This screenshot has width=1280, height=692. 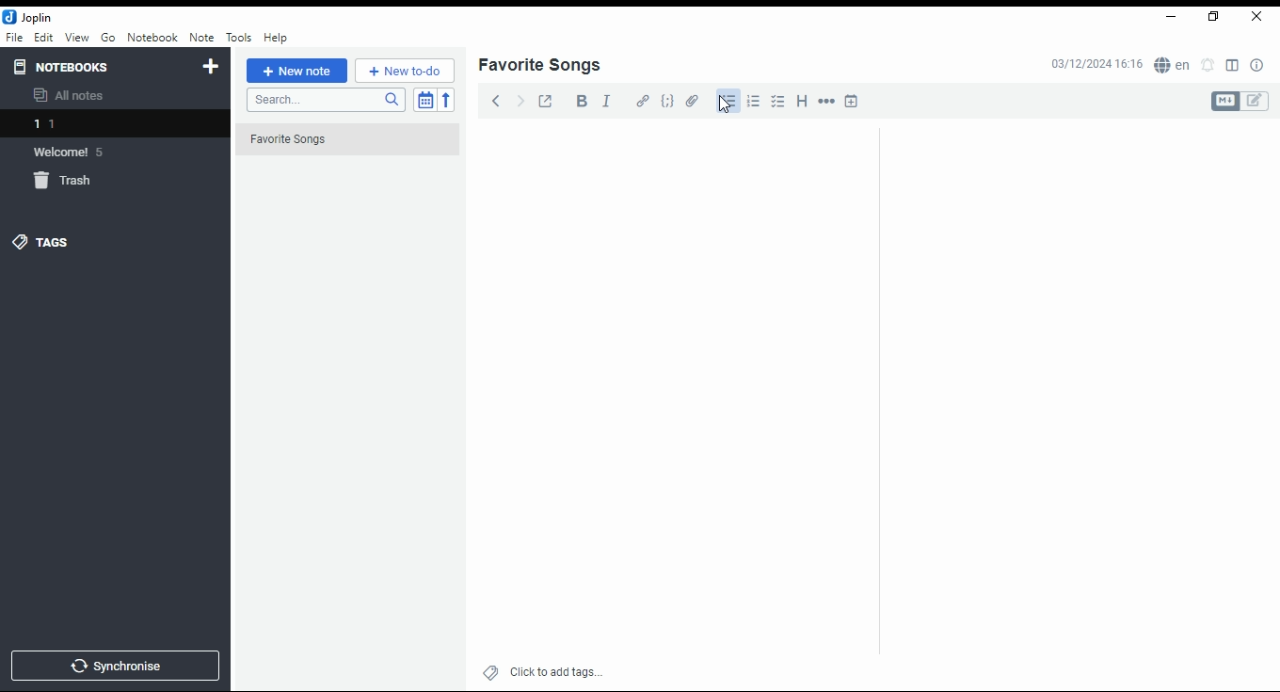 I want to click on search, so click(x=325, y=100).